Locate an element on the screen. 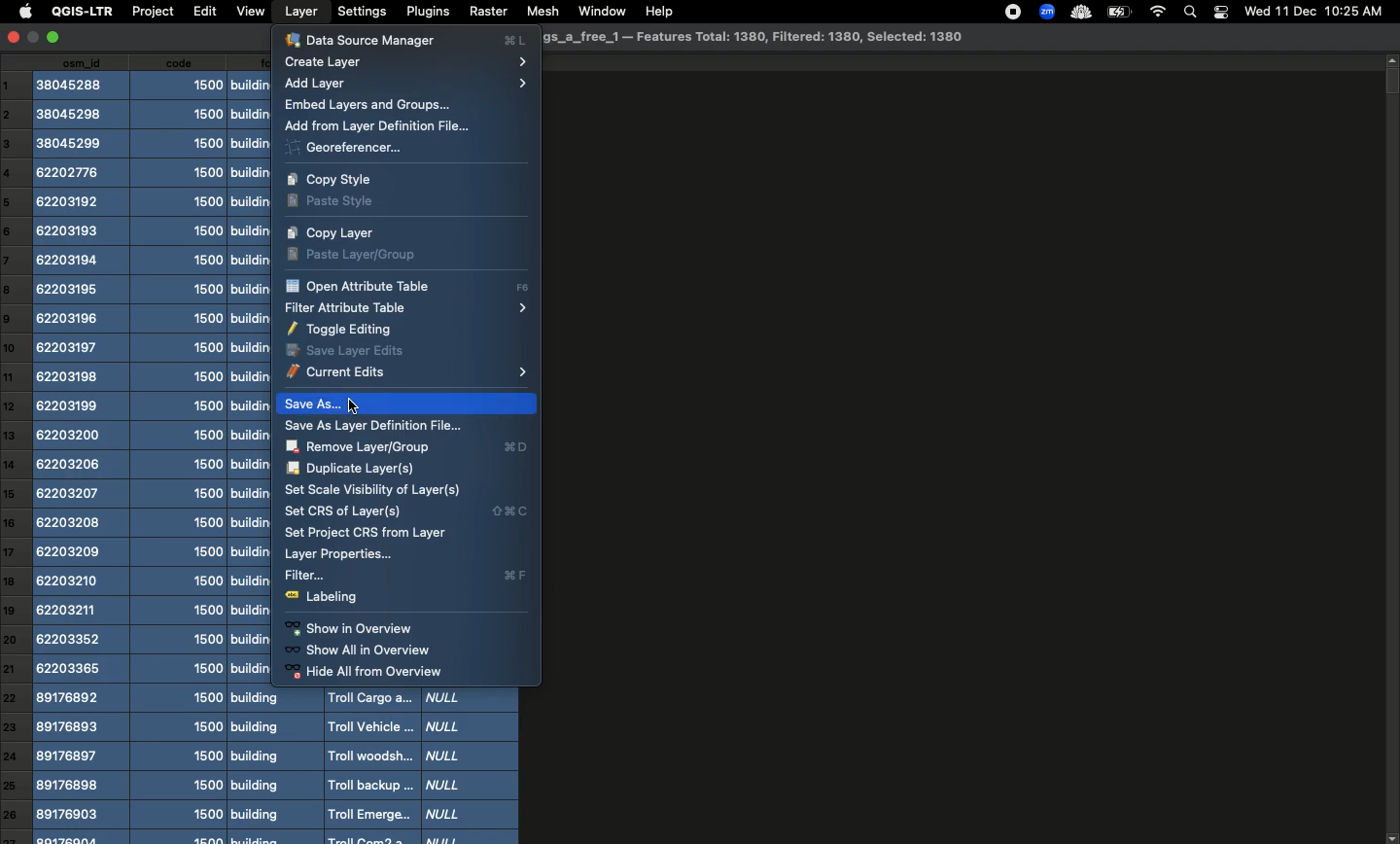 This screenshot has height=844, width=1400. Click is located at coordinates (327, 404).